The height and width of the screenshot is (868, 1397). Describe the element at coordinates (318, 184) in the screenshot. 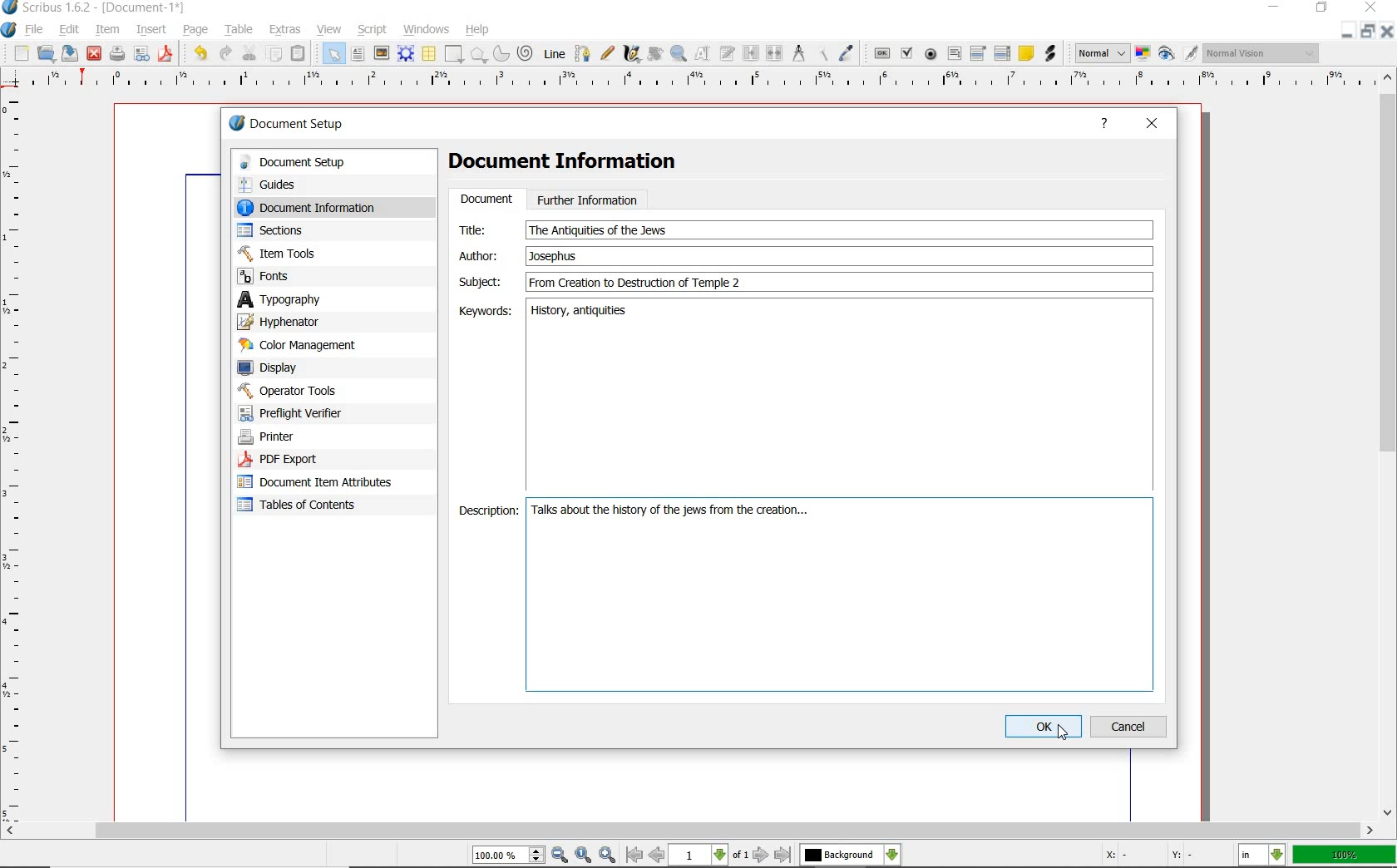

I see `guides` at that location.